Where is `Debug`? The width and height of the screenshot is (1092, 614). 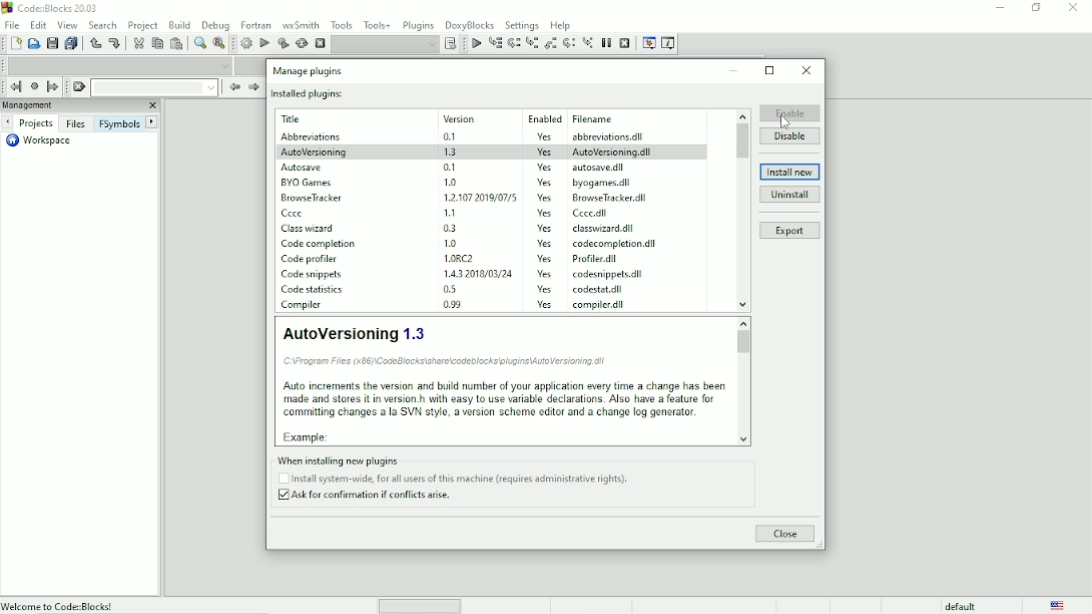 Debug is located at coordinates (215, 26).